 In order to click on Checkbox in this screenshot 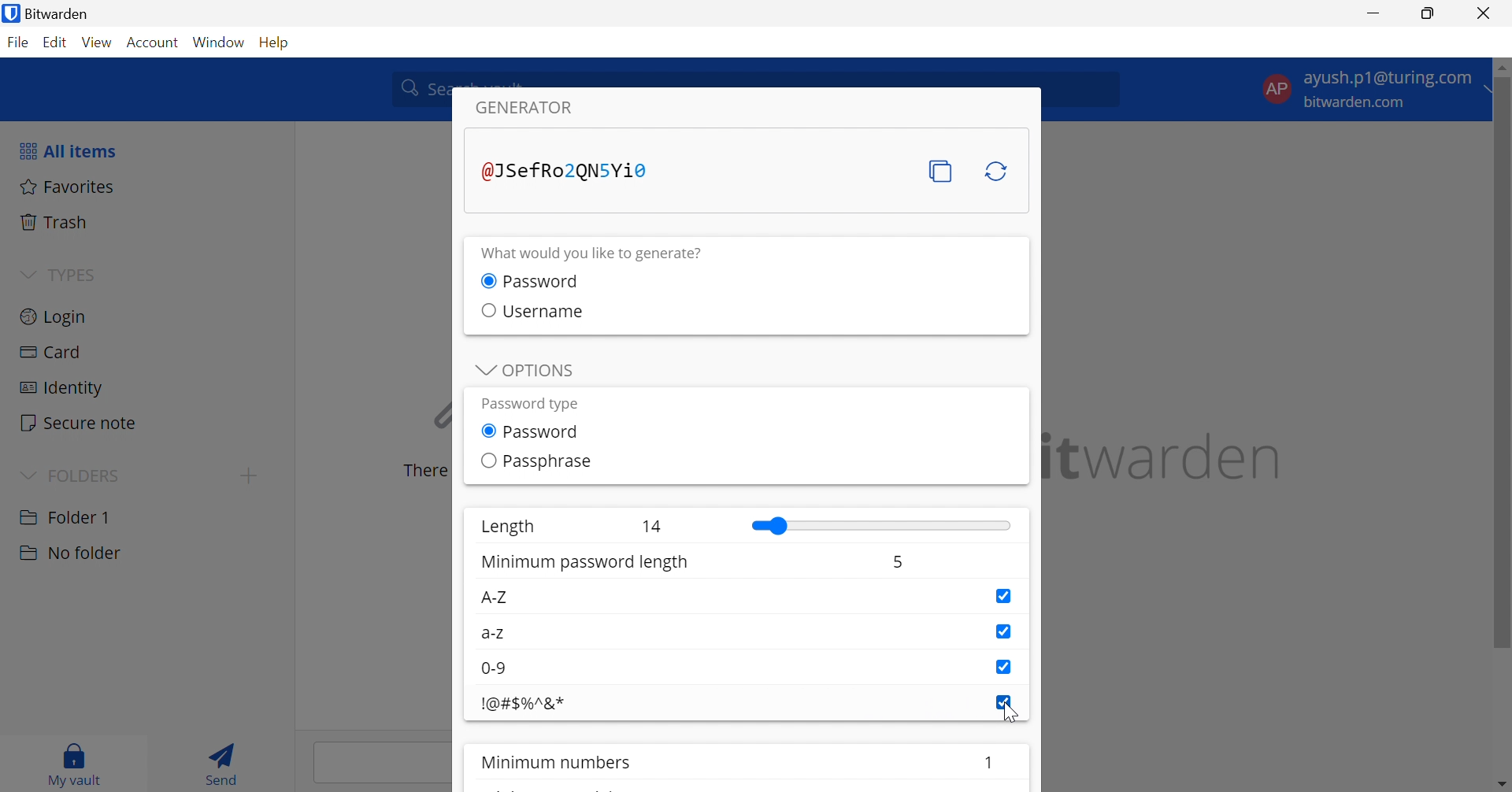, I will do `click(1001, 596)`.